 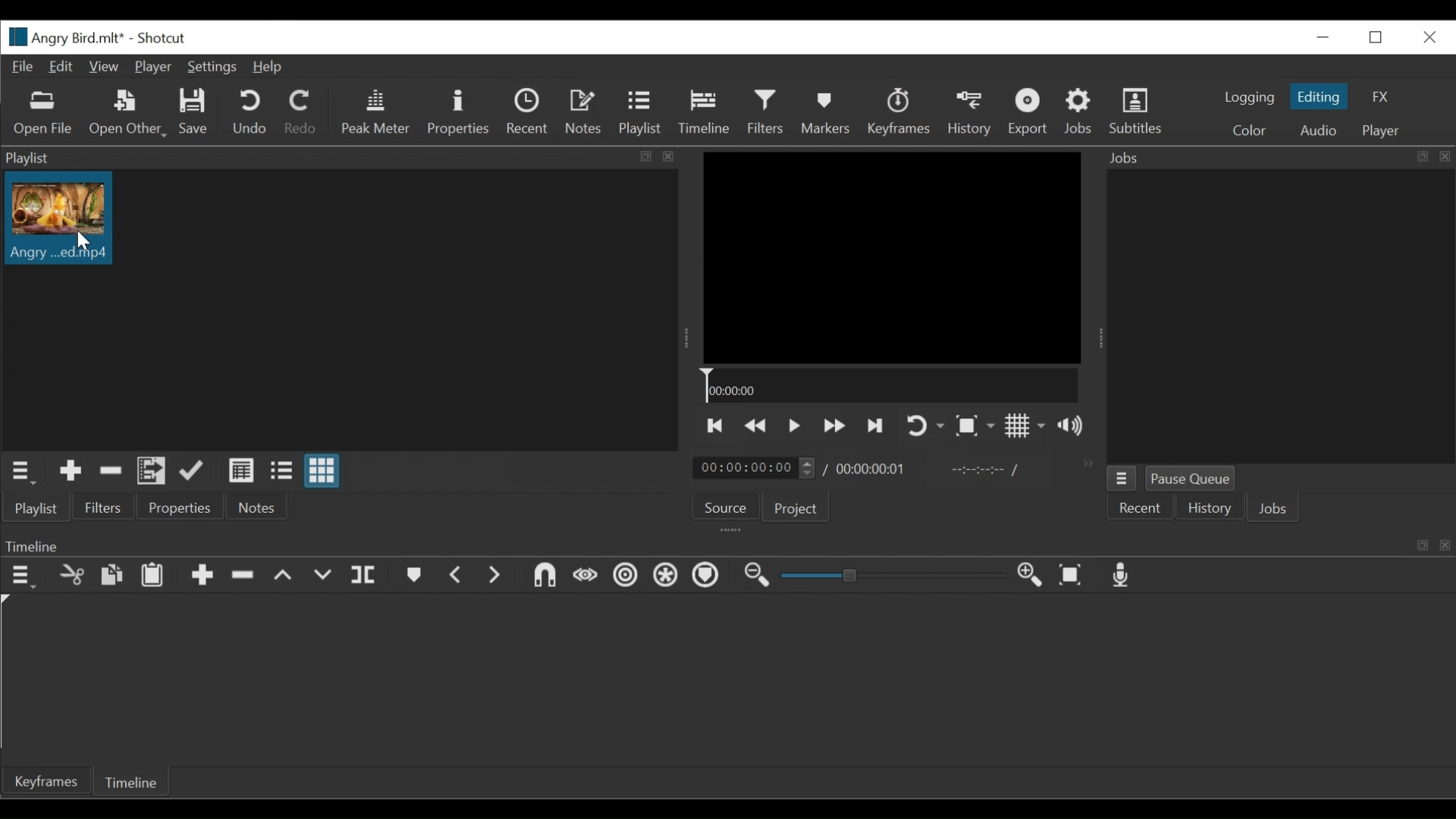 What do you see at coordinates (195, 113) in the screenshot?
I see `Save` at bounding box center [195, 113].